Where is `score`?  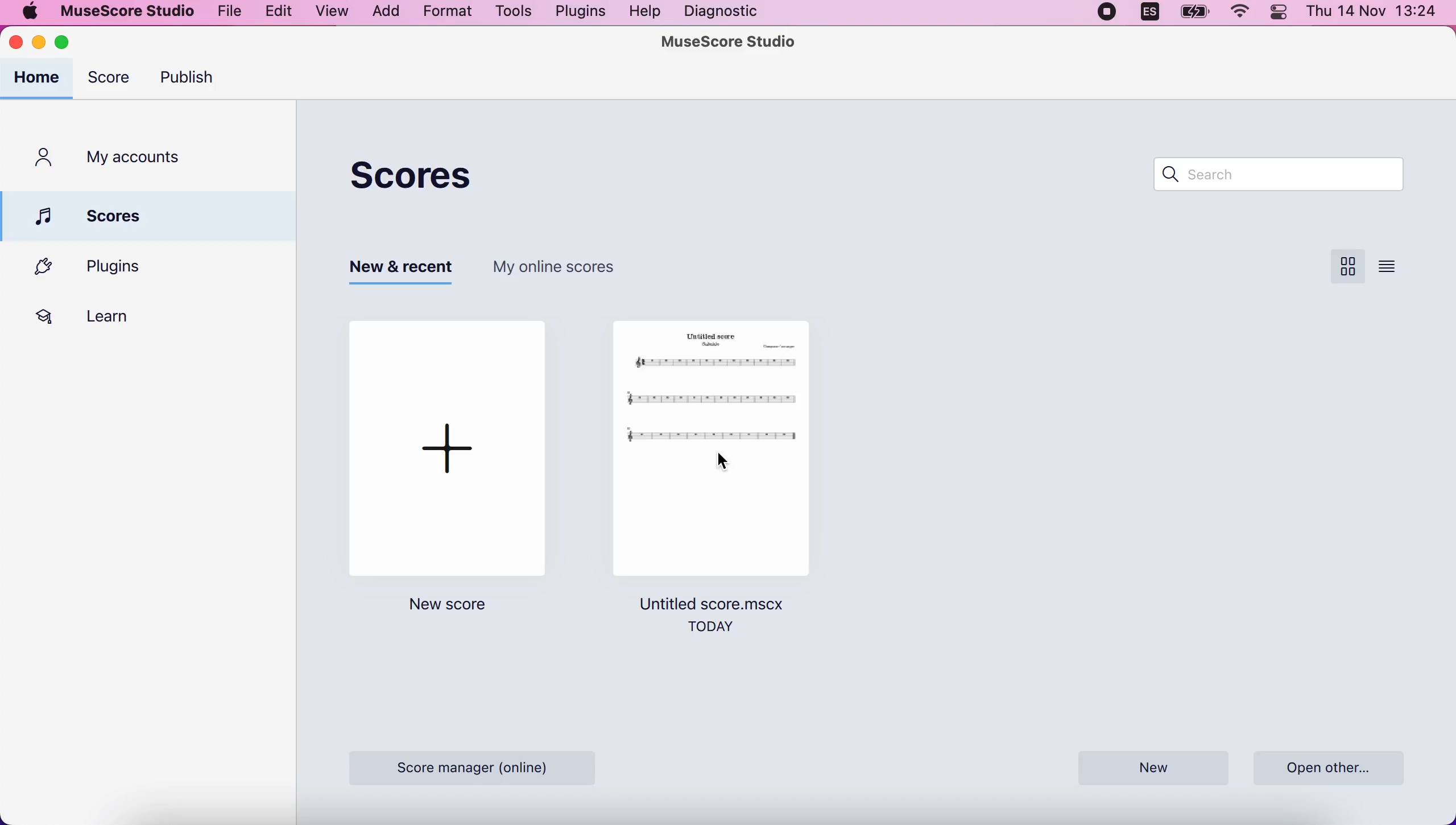
score is located at coordinates (109, 80).